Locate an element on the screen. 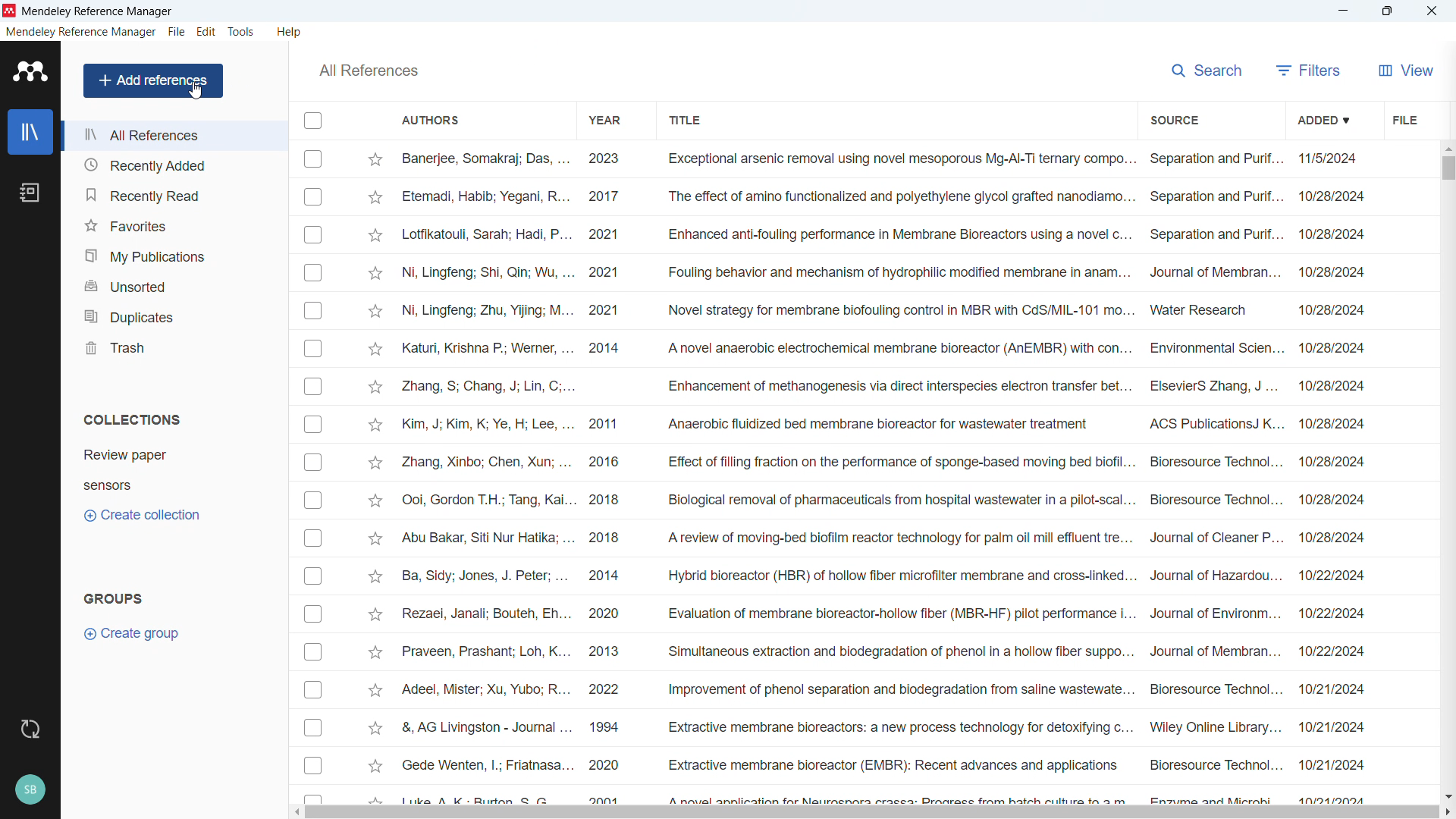 This screenshot has width=1456, height=819.  Maximise is located at coordinates (1388, 11).